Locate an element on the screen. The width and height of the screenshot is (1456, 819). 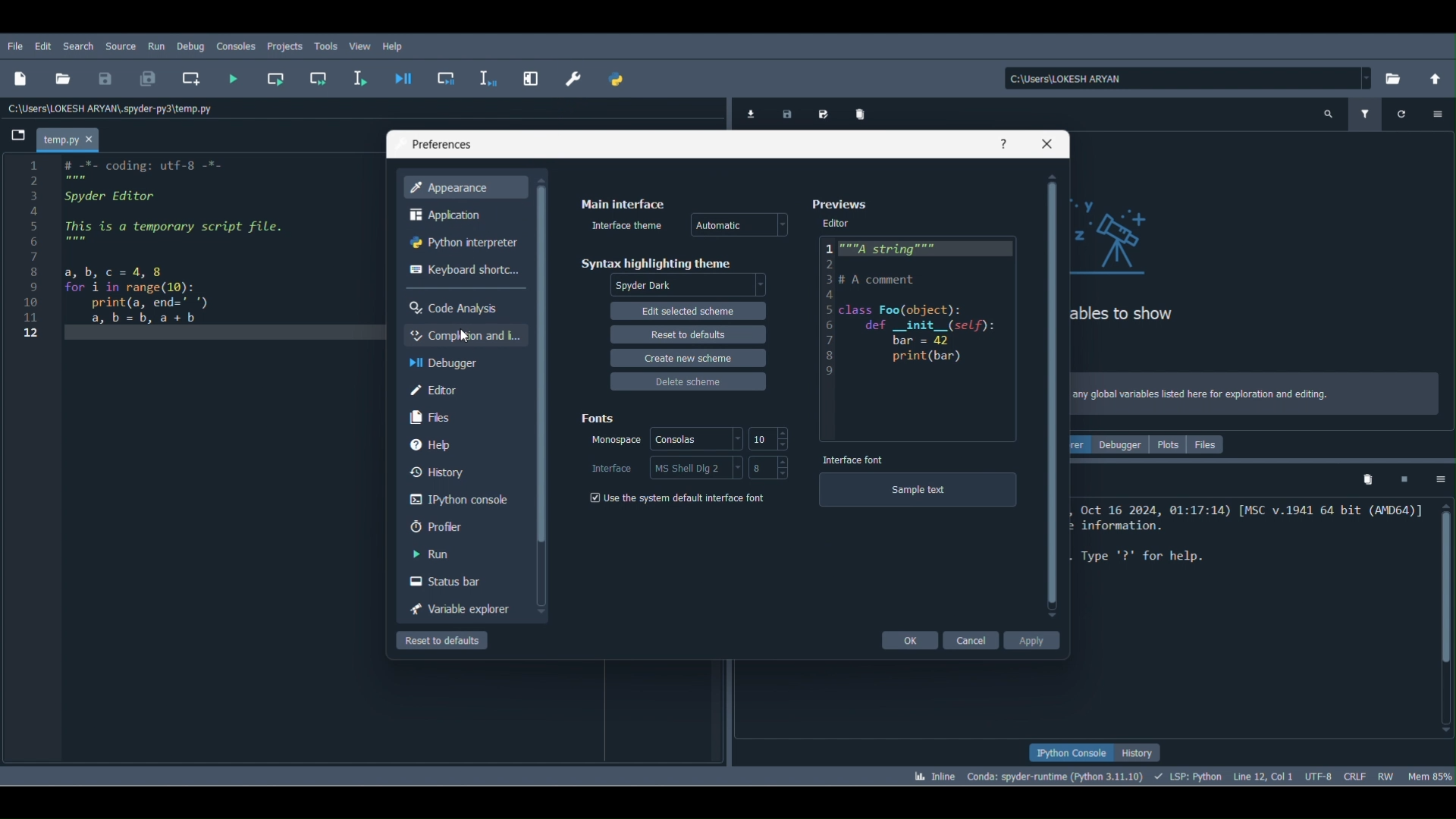
File path is located at coordinates (1178, 78).